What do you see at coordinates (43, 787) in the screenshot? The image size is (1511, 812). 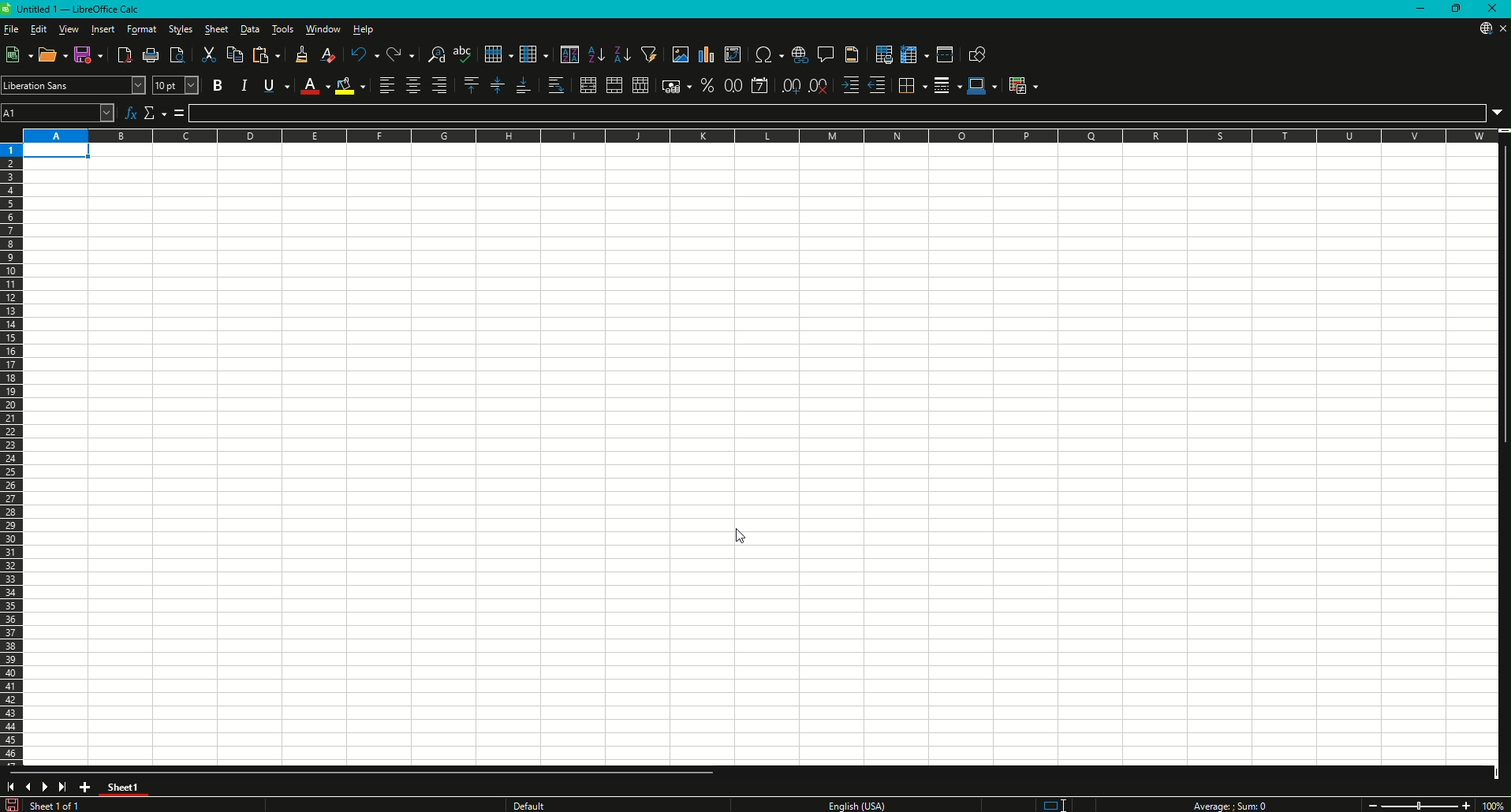 I see `Next slide` at bounding box center [43, 787].